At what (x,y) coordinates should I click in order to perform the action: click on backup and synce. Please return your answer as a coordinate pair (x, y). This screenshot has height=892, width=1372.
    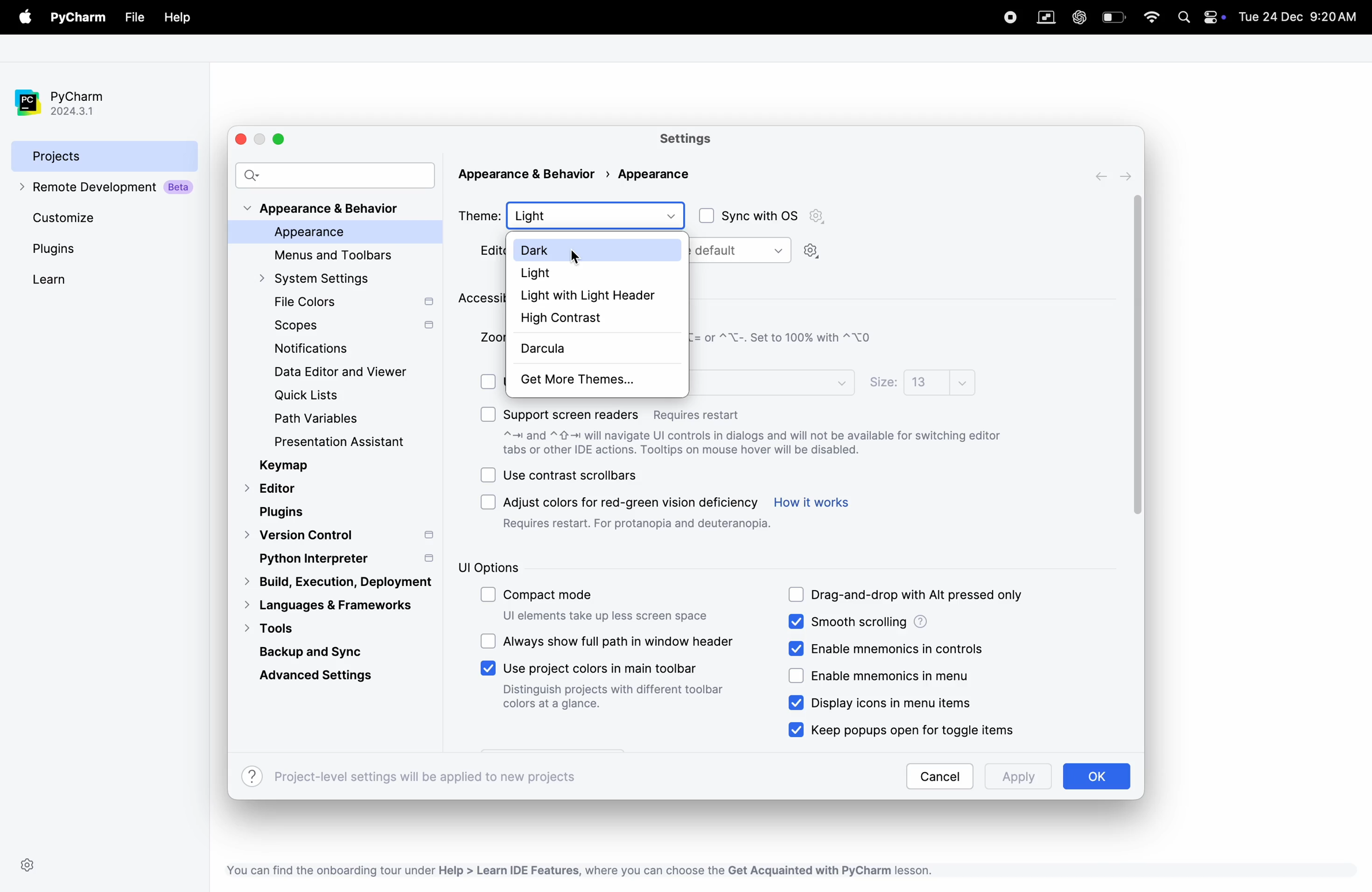
    Looking at the image, I should click on (326, 650).